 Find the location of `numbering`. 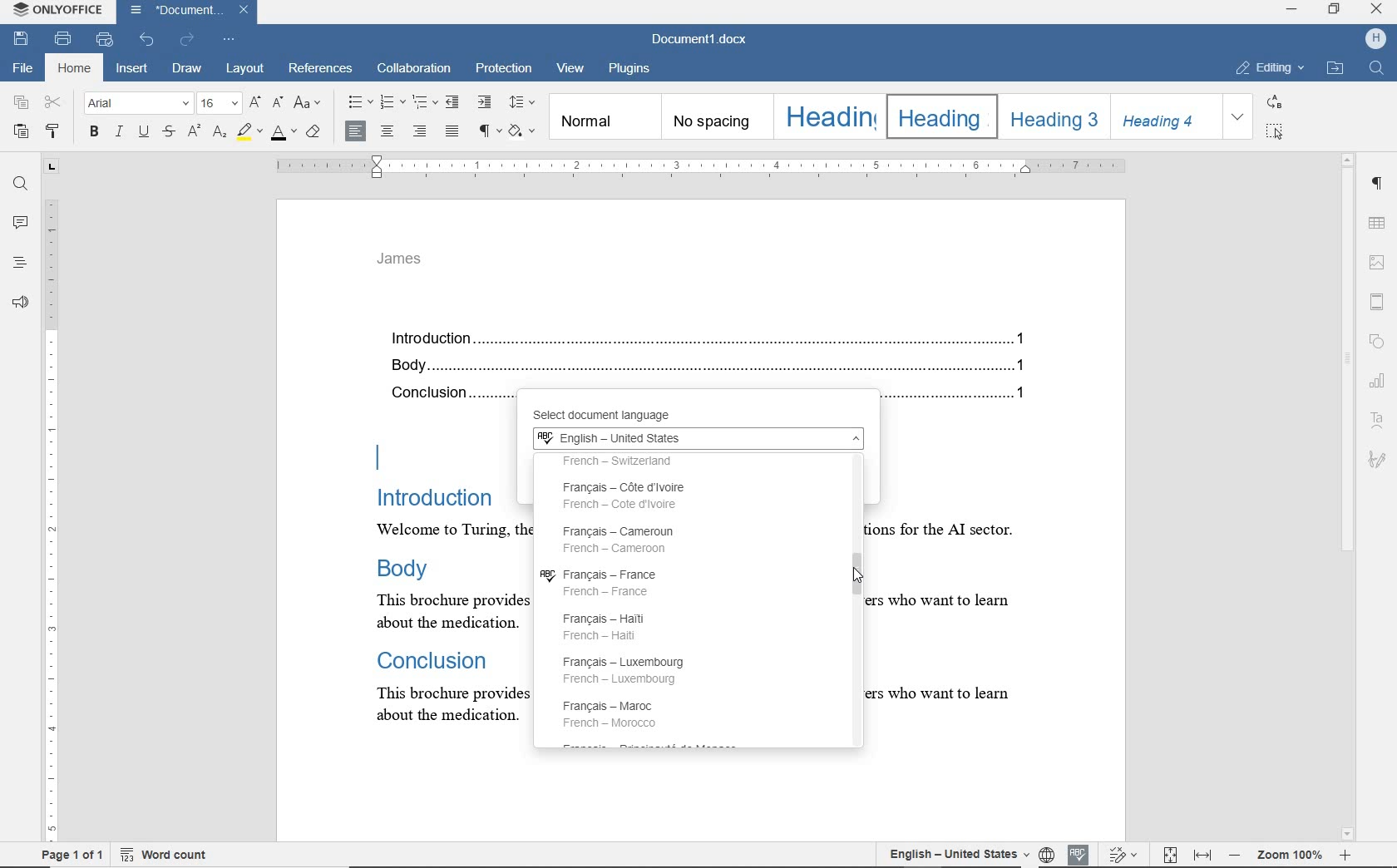

numbering is located at coordinates (393, 102).